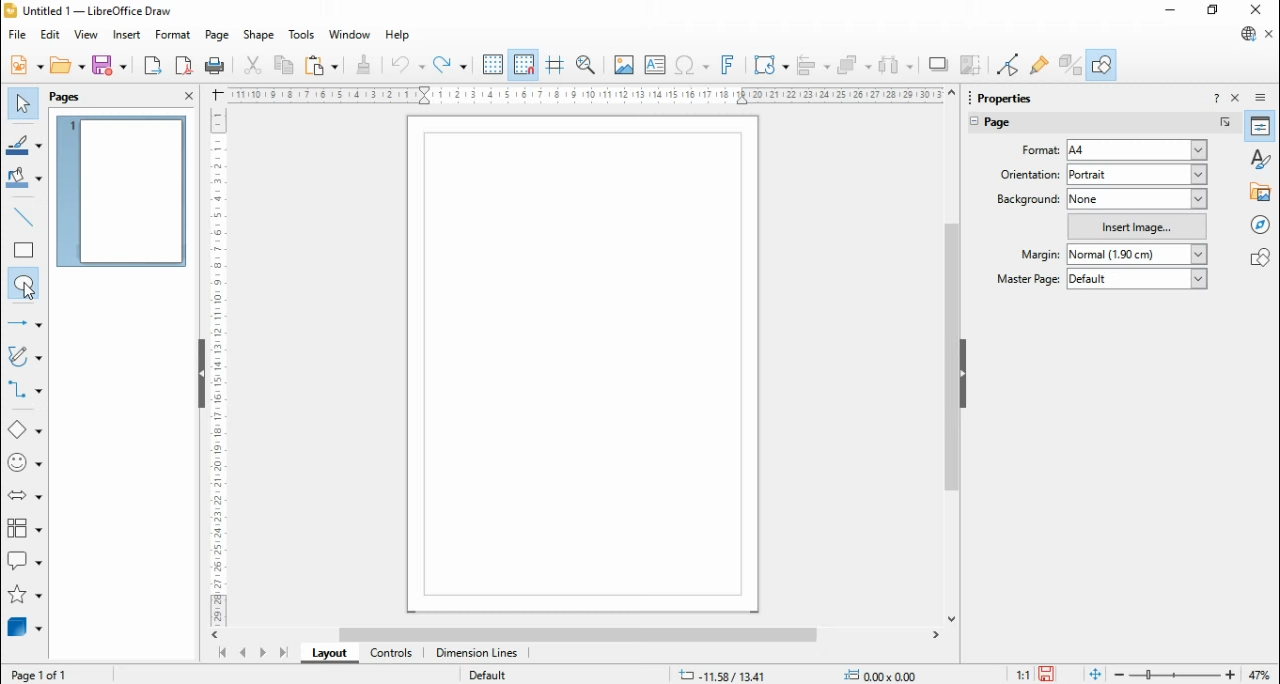 The height and width of the screenshot is (684, 1280). Describe the element at coordinates (1226, 123) in the screenshot. I see `more options` at that location.